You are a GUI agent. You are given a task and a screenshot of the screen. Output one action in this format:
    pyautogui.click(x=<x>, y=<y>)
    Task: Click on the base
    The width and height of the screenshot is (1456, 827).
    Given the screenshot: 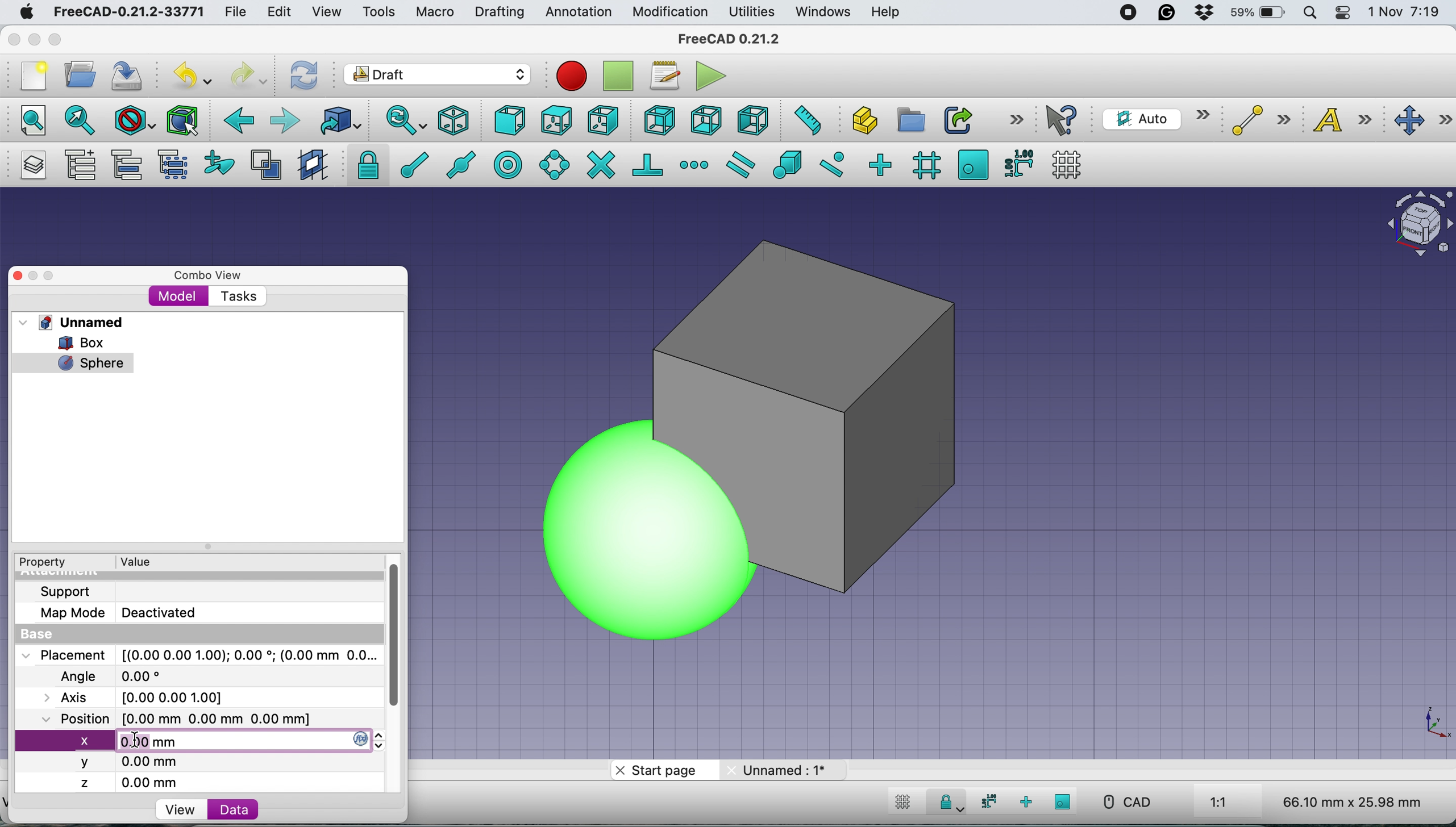 What is the action you would take?
    pyautogui.click(x=40, y=635)
    